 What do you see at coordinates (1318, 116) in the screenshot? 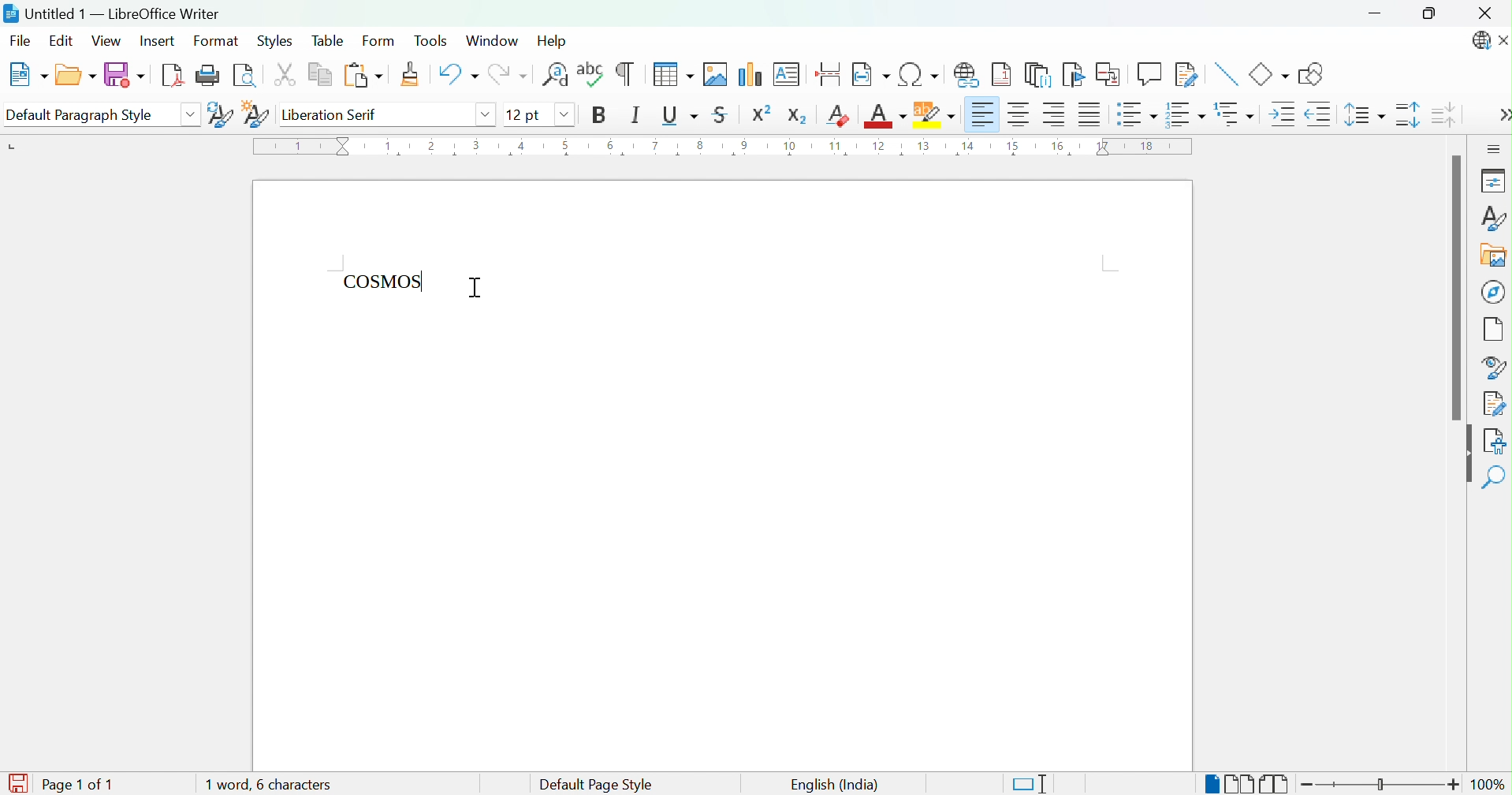
I see `Decrease Indent` at bounding box center [1318, 116].